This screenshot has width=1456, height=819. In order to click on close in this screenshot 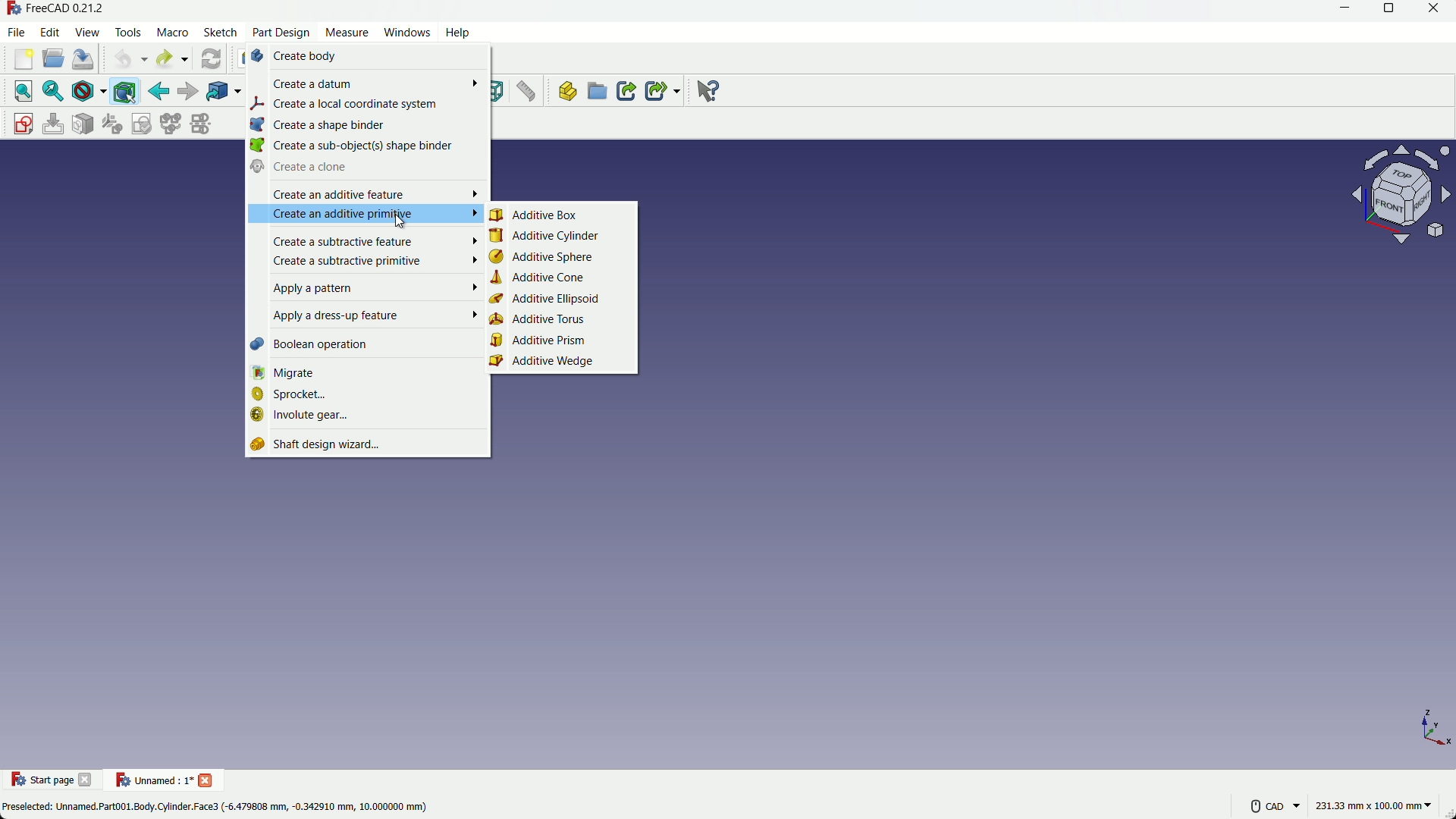, I will do `click(1432, 9)`.